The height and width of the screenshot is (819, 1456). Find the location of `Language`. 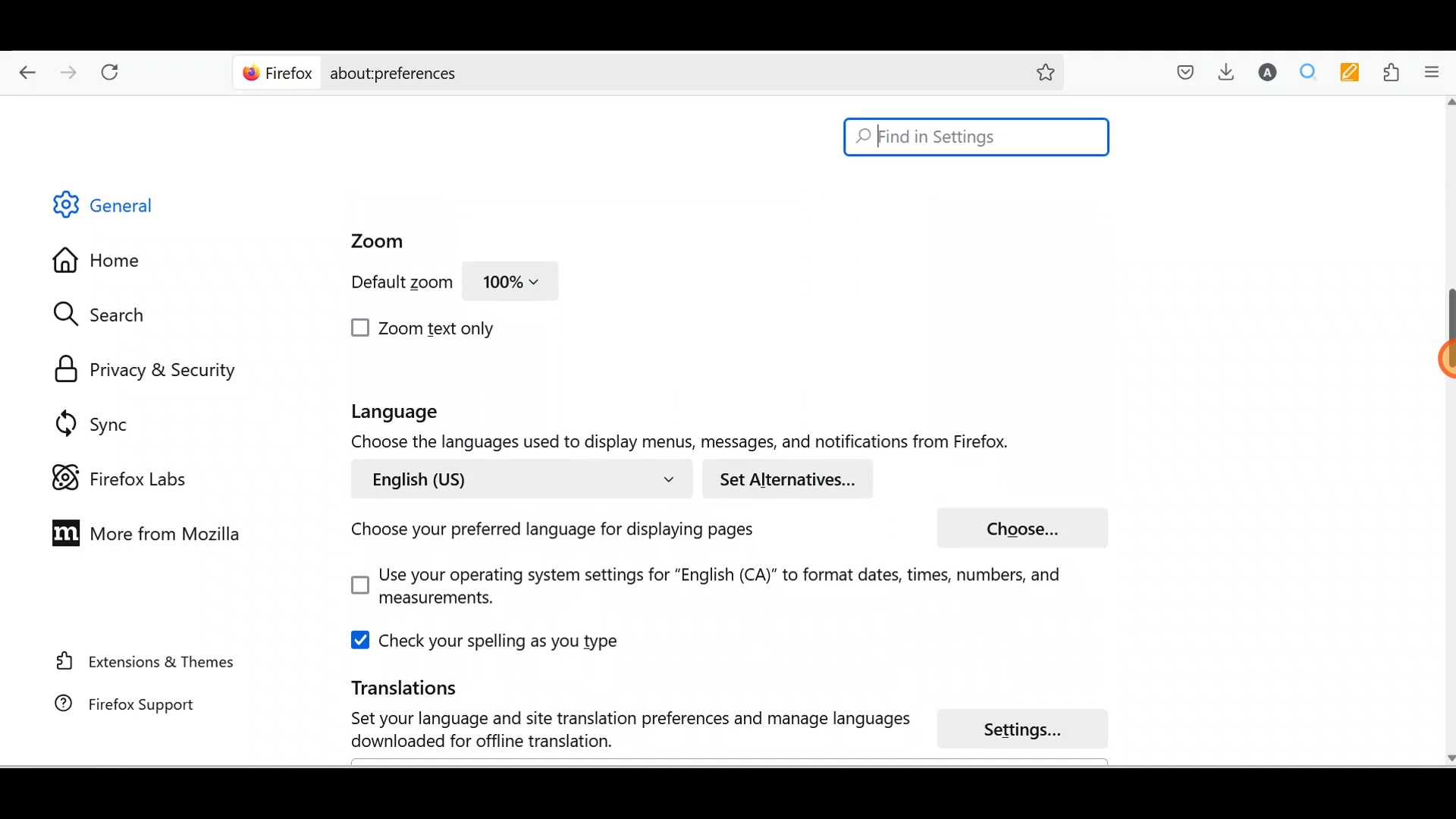

Language is located at coordinates (422, 413).